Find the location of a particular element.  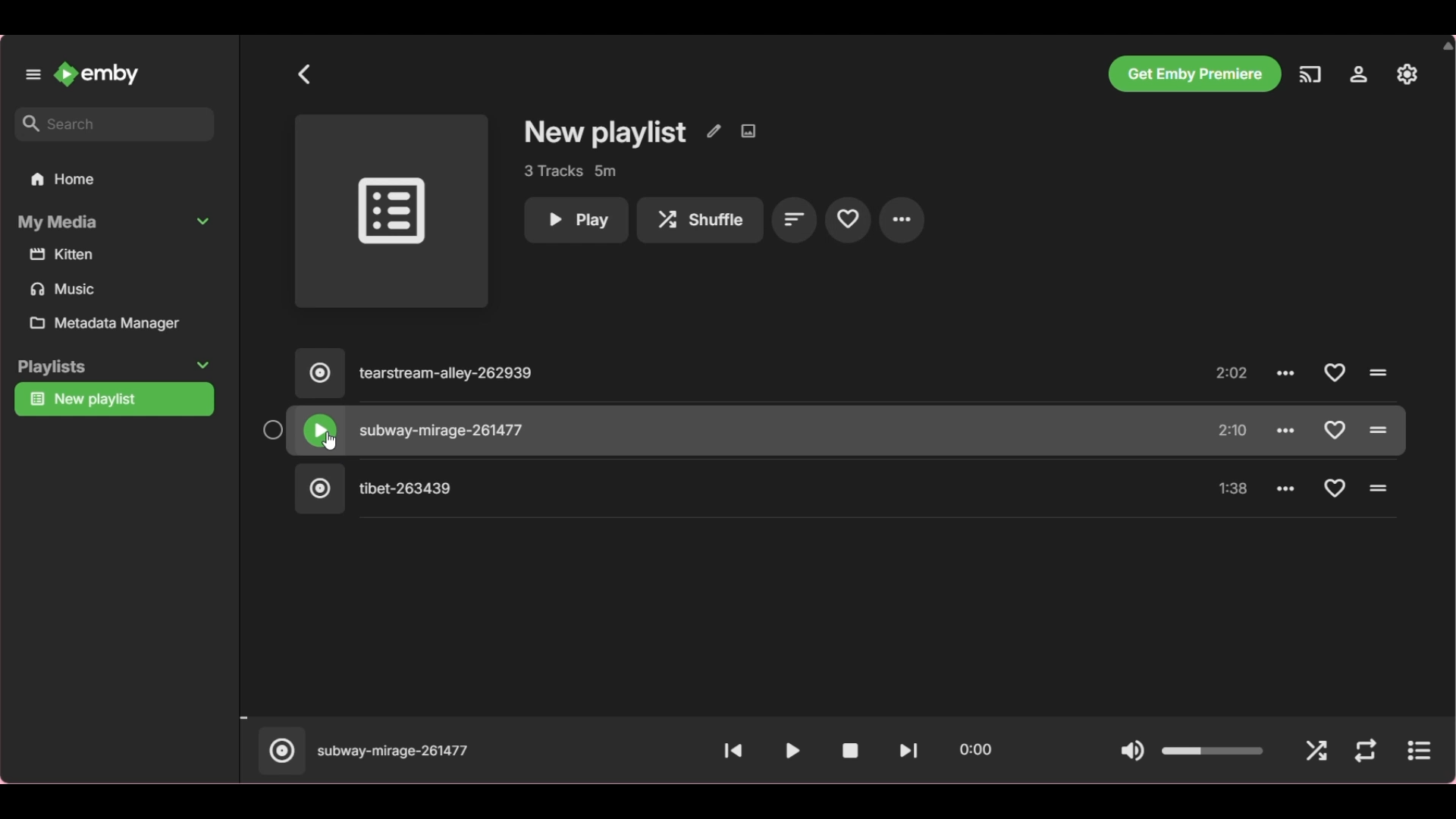

Go to previous song is located at coordinates (733, 752).